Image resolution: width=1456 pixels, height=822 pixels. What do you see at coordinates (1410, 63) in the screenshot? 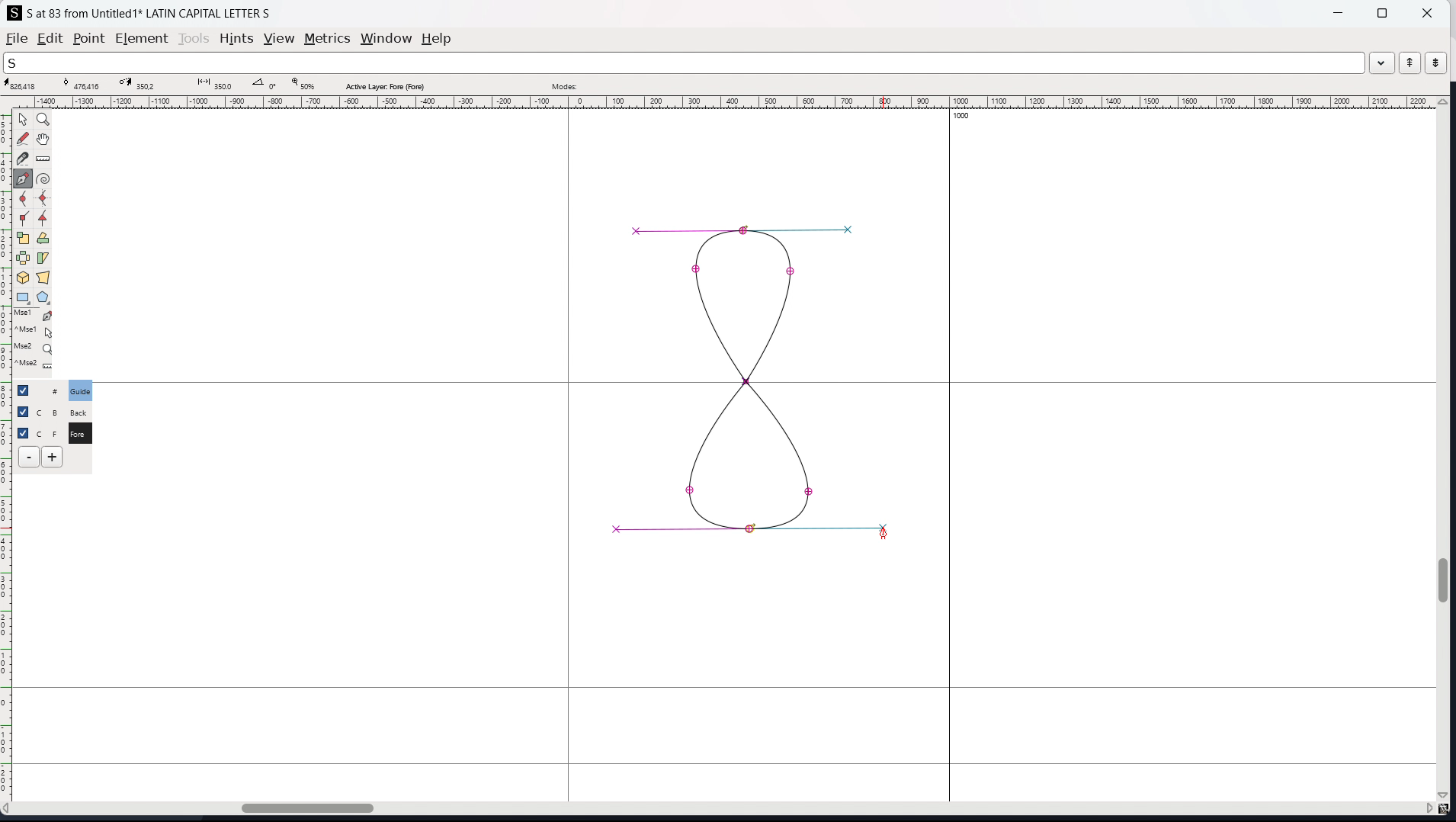
I see `previous word in the wordlist` at bounding box center [1410, 63].